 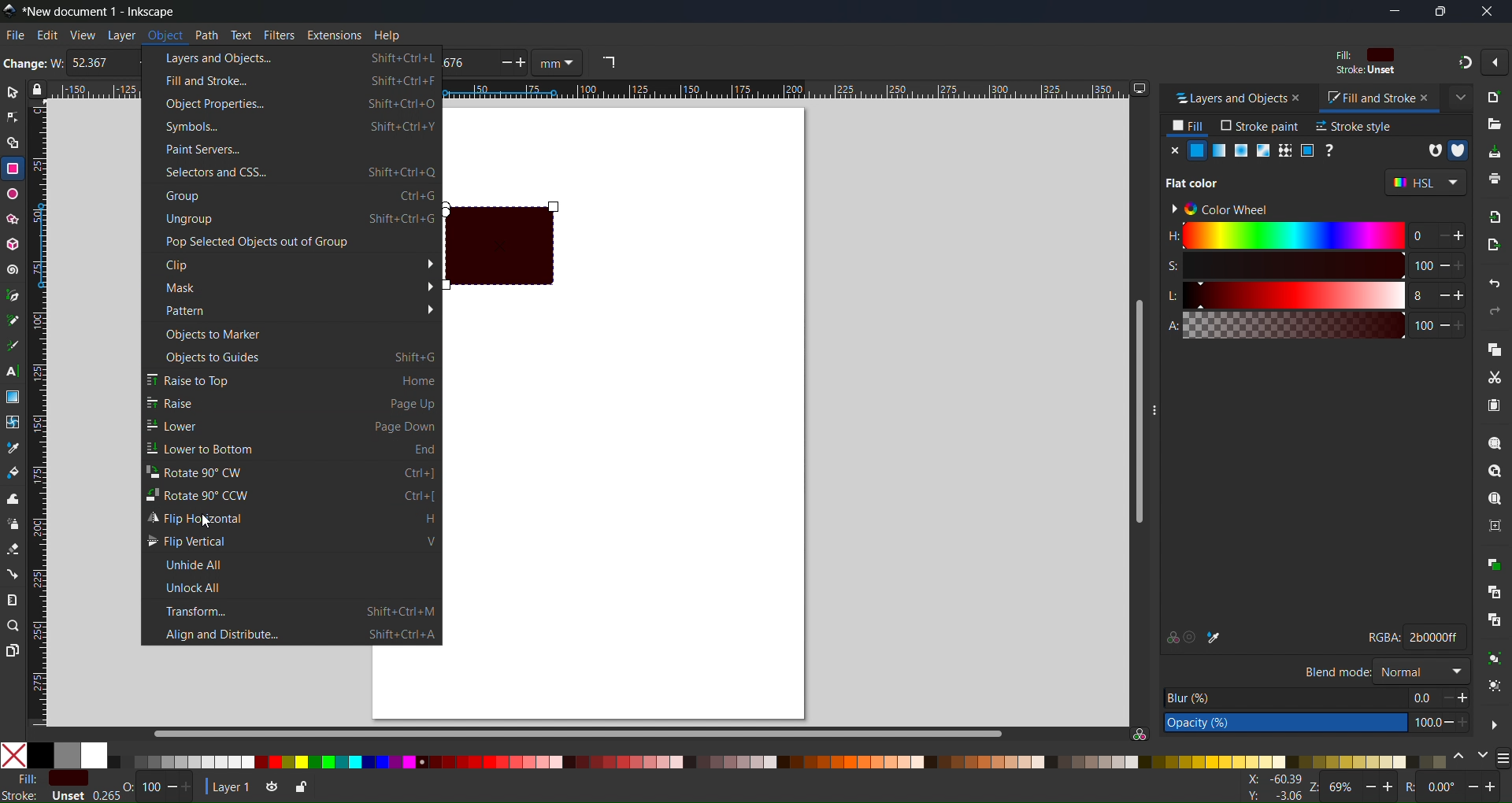 What do you see at coordinates (1493, 347) in the screenshot?
I see `Copy` at bounding box center [1493, 347].